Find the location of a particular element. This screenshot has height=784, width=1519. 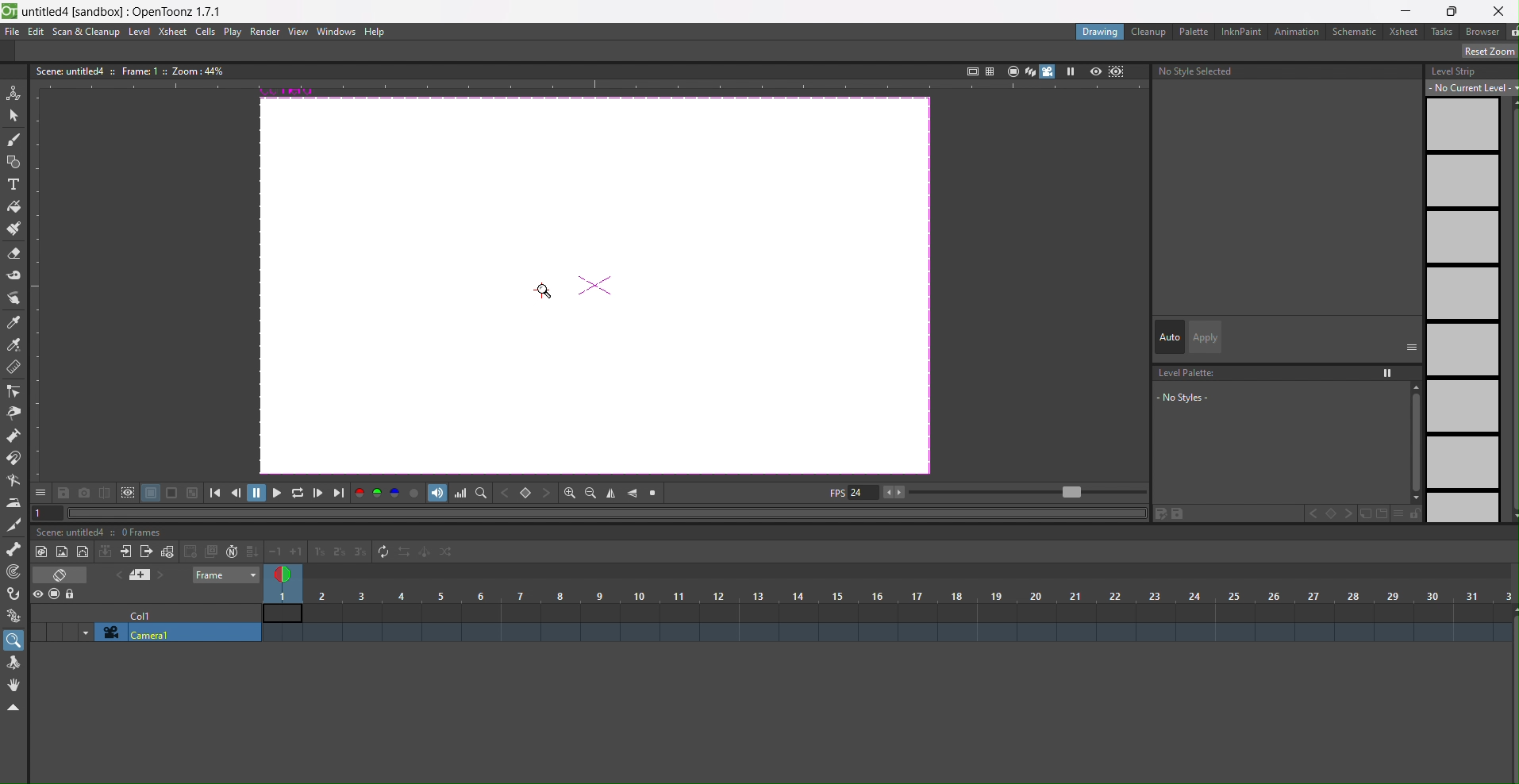

pinch tool is located at coordinates (17, 412).